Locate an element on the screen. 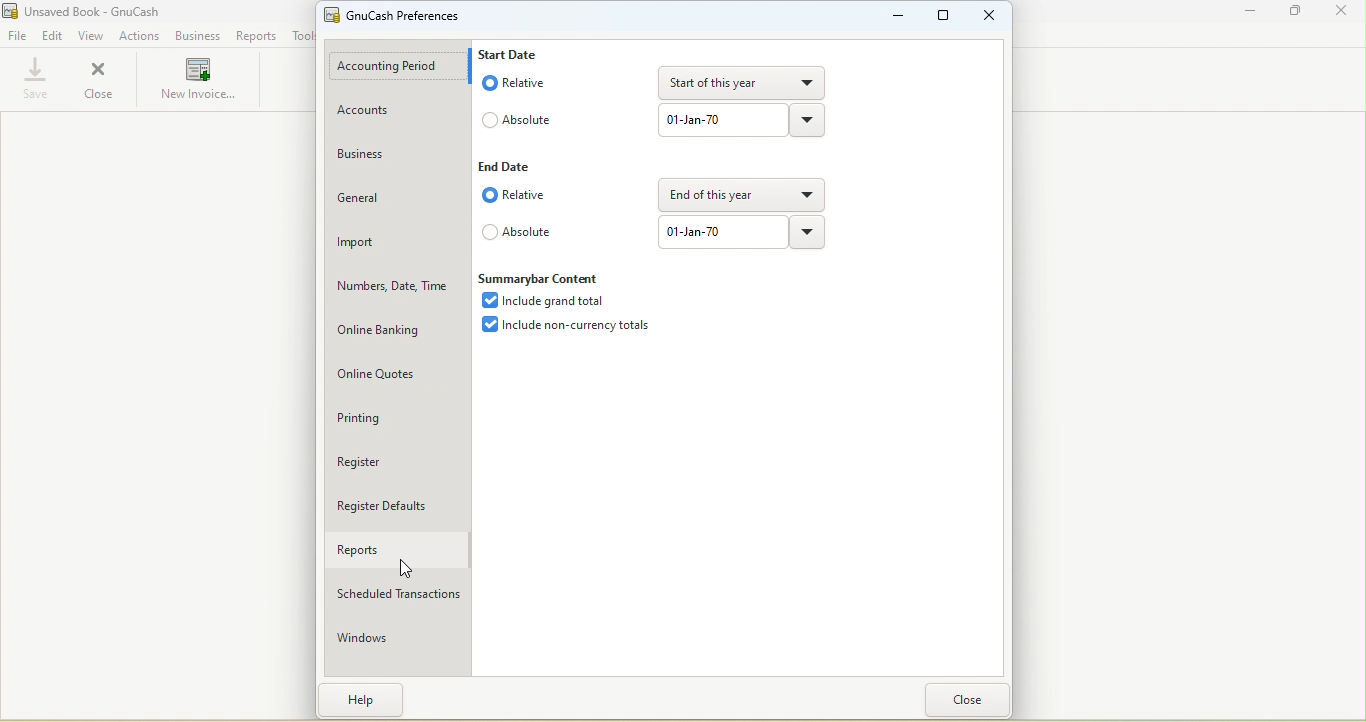 This screenshot has width=1366, height=722. Scheduled transactions is located at coordinates (396, 595).